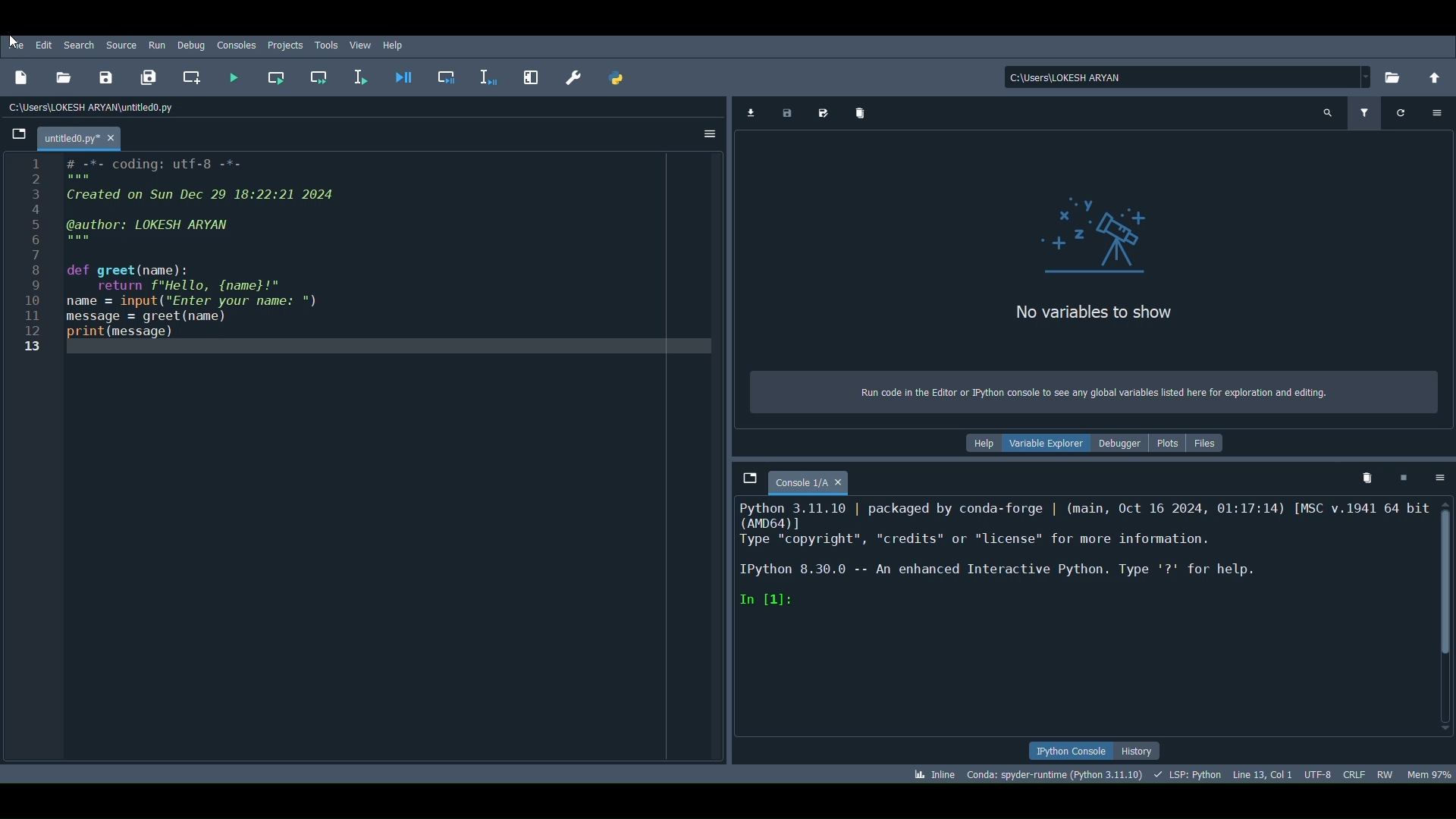 The image size is (1456, 819). I want to click on Interrupt kernel, so click(1407, 476).